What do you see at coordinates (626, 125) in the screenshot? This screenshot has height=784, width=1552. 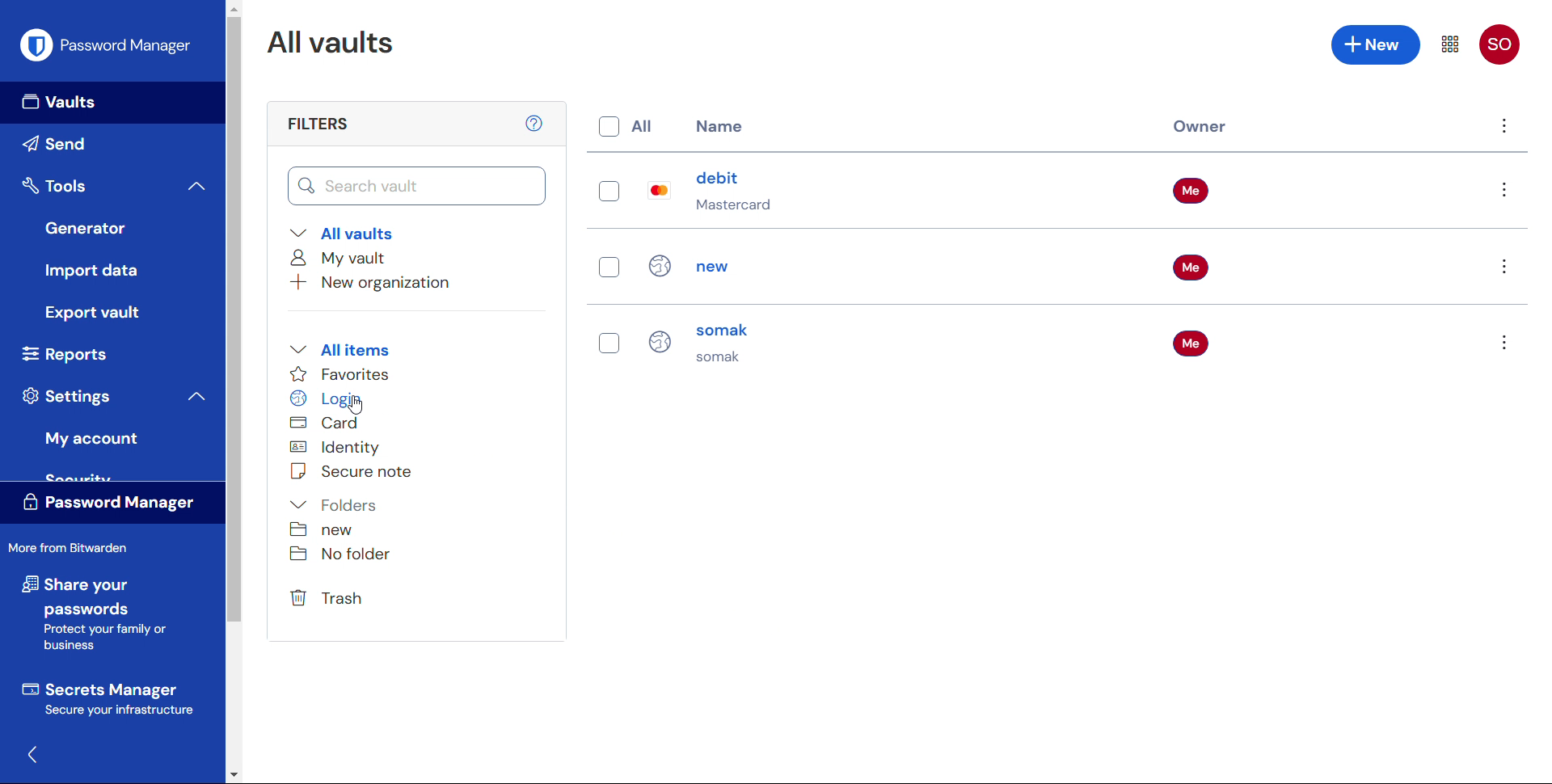 I see `Select all ` at bounding box center [626, 125].